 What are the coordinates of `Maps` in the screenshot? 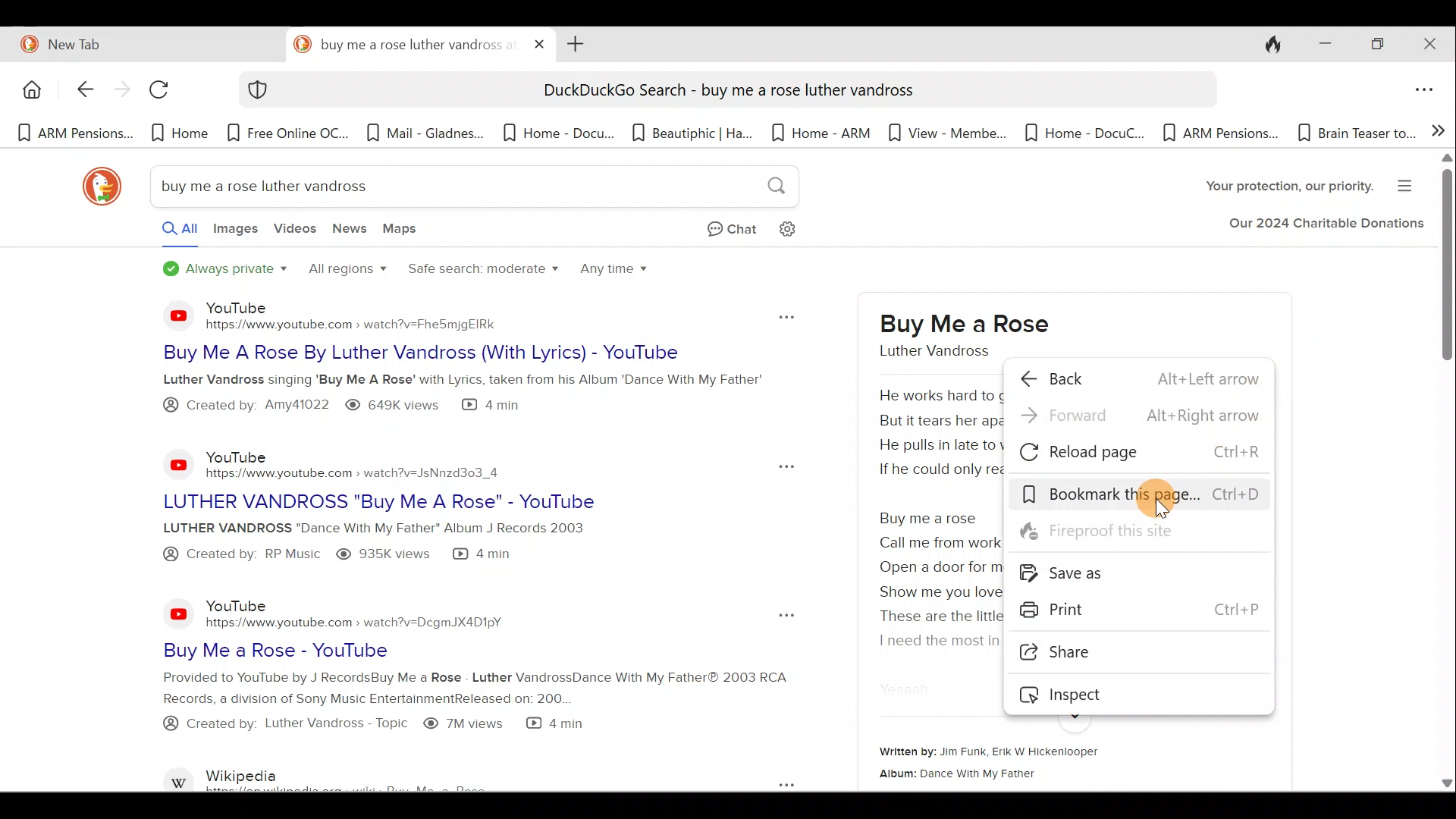 It's located at (404, 231).